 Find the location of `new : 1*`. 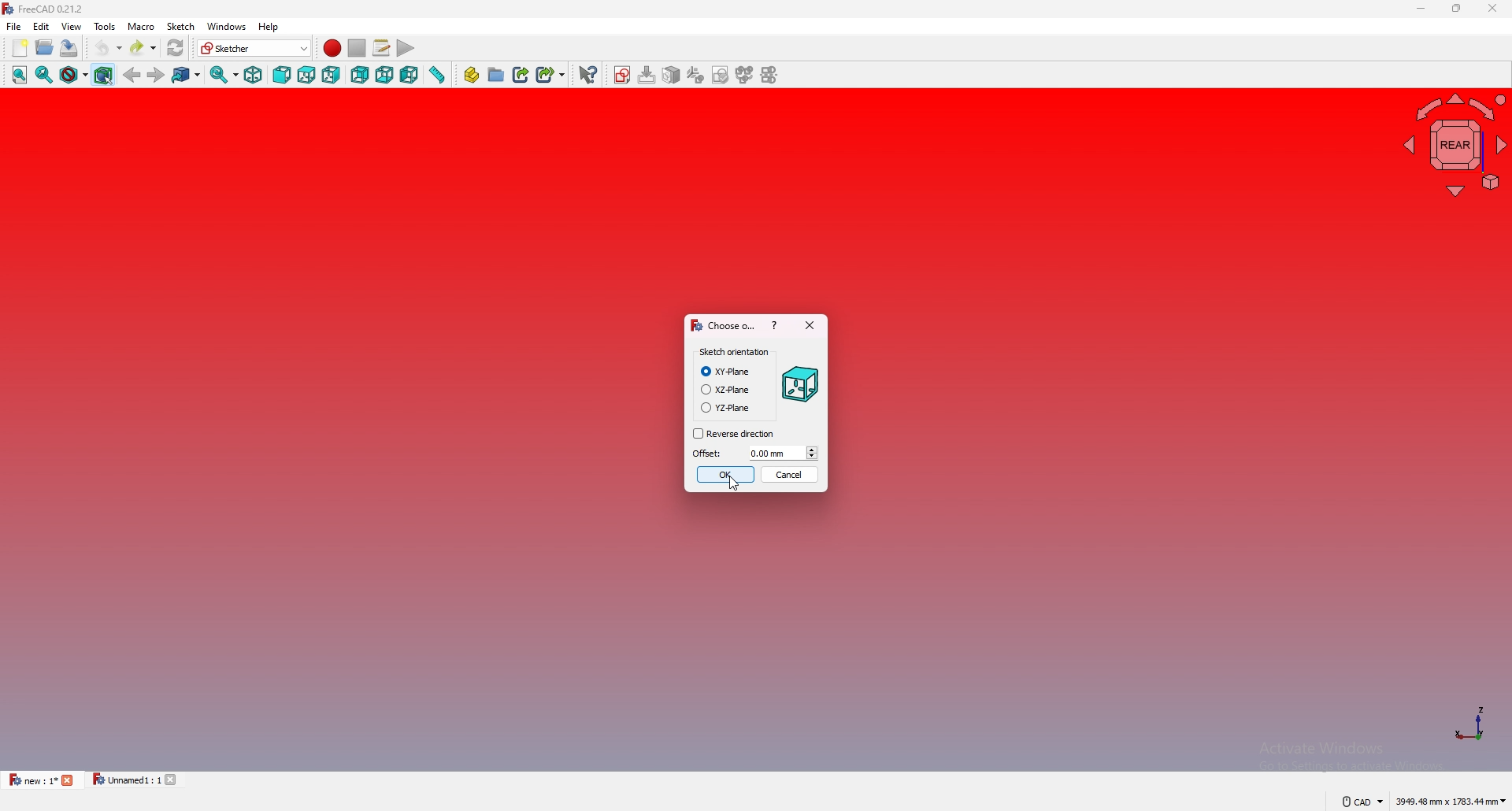

new : 1* is located at coordinates (32, 780).